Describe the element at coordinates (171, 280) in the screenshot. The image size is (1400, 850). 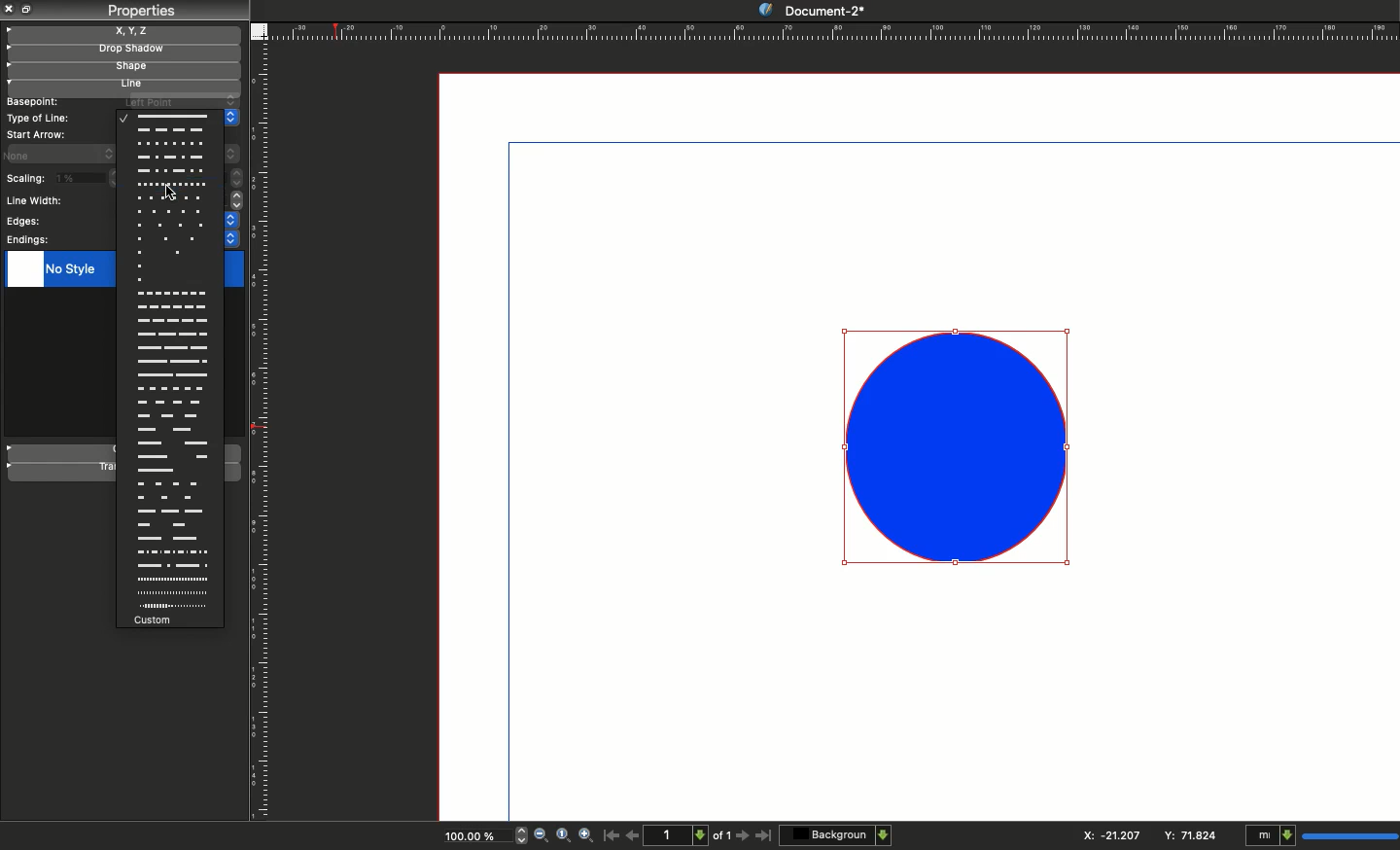
I see `line option` at that location.